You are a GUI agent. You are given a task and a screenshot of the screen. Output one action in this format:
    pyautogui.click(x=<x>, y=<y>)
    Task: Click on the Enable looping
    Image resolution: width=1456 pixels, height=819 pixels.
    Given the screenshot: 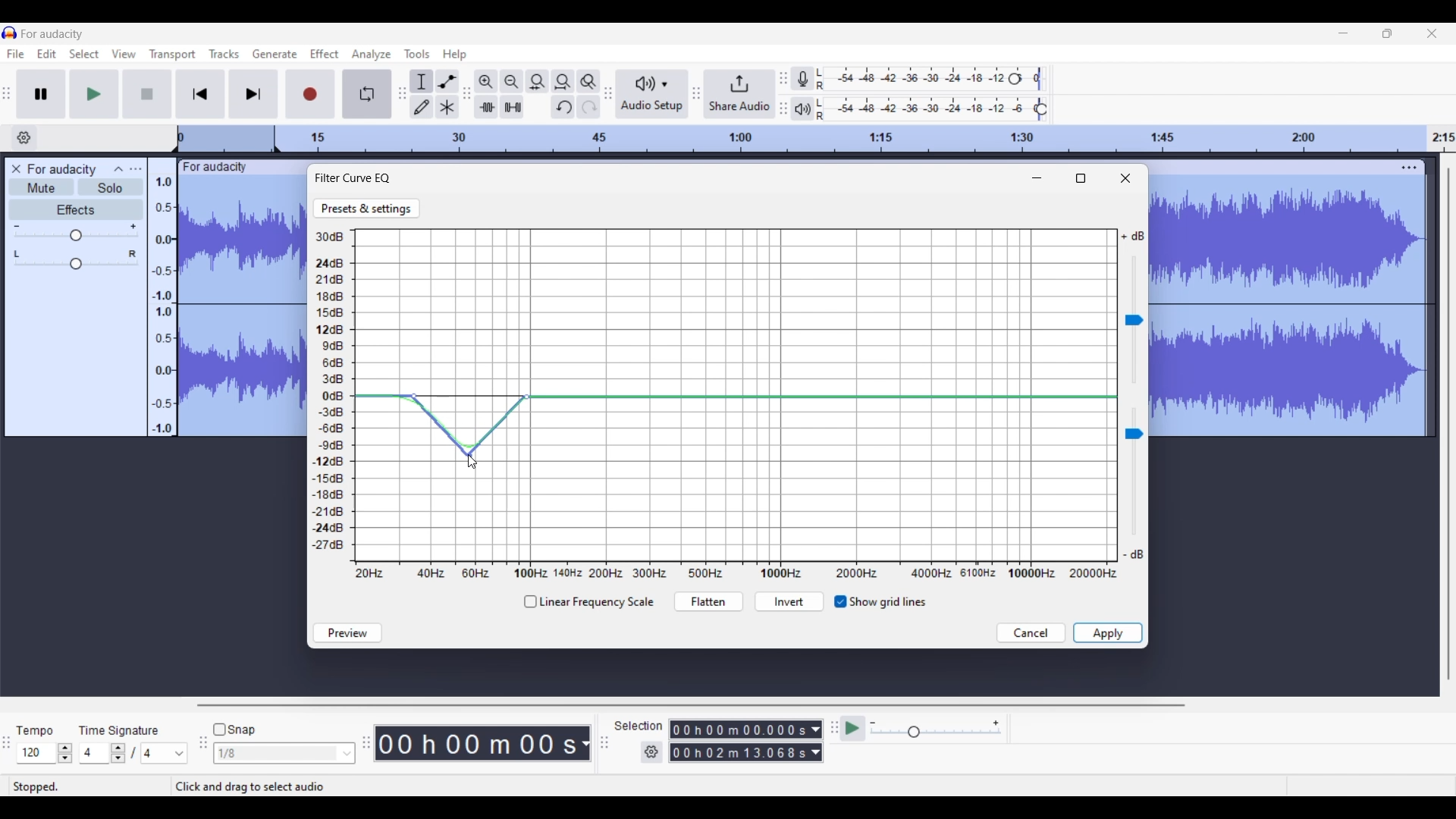 What is the action you would take?
    pyautogui.click(x=367, y=94)
    